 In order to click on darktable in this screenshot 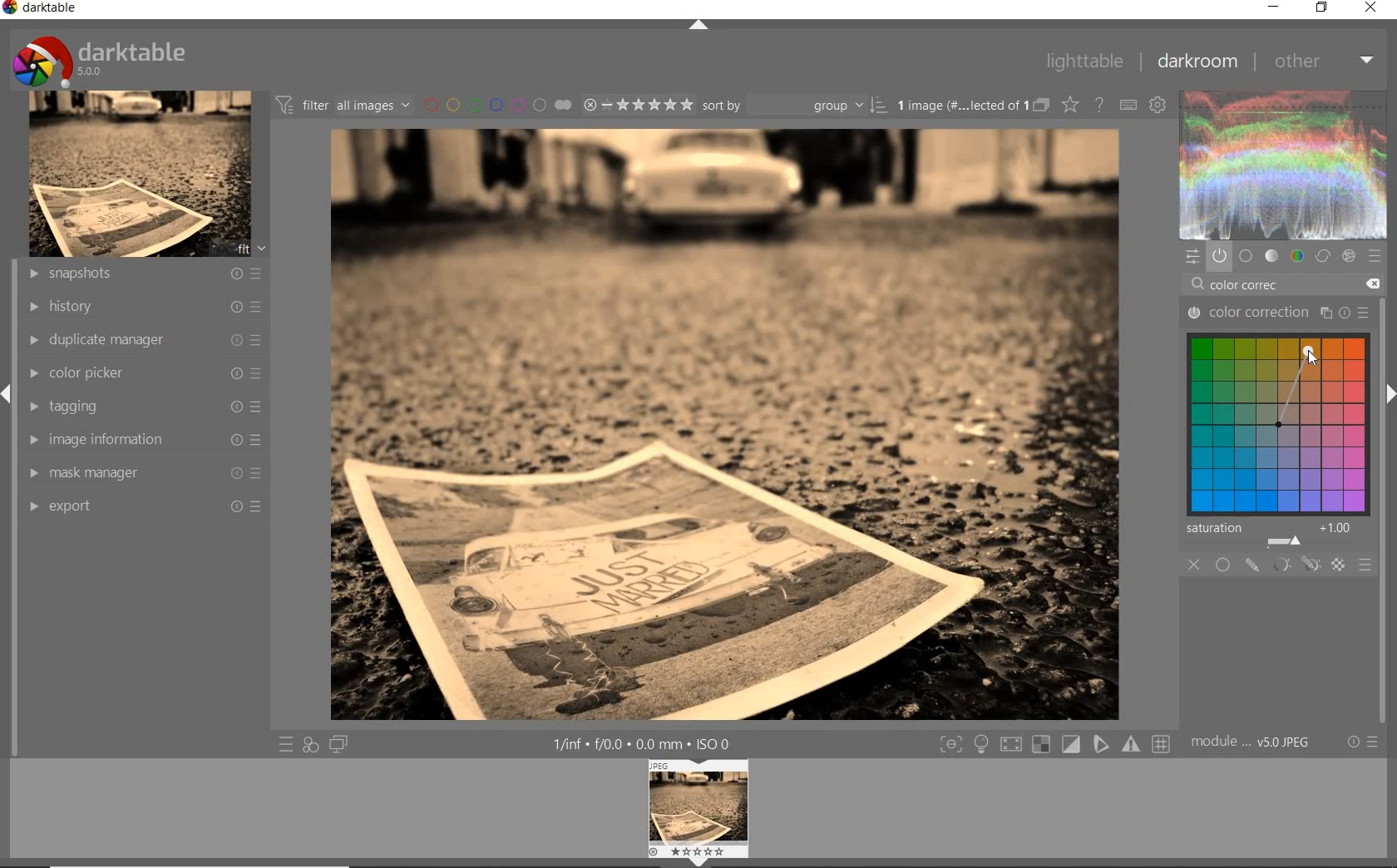, I will do `click(43, 8)`.